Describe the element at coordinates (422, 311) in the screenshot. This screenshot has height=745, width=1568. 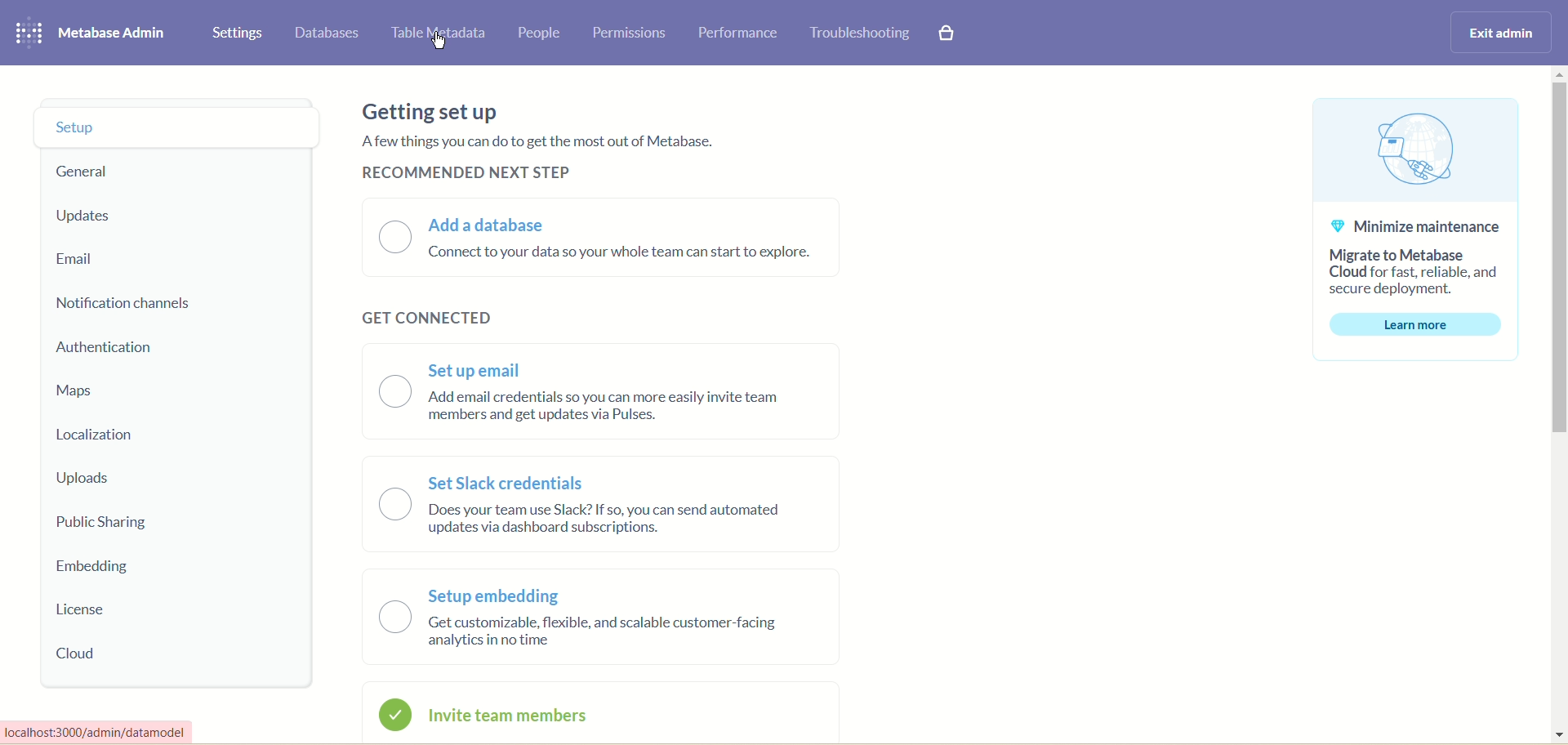
I see `get connected` at that location.